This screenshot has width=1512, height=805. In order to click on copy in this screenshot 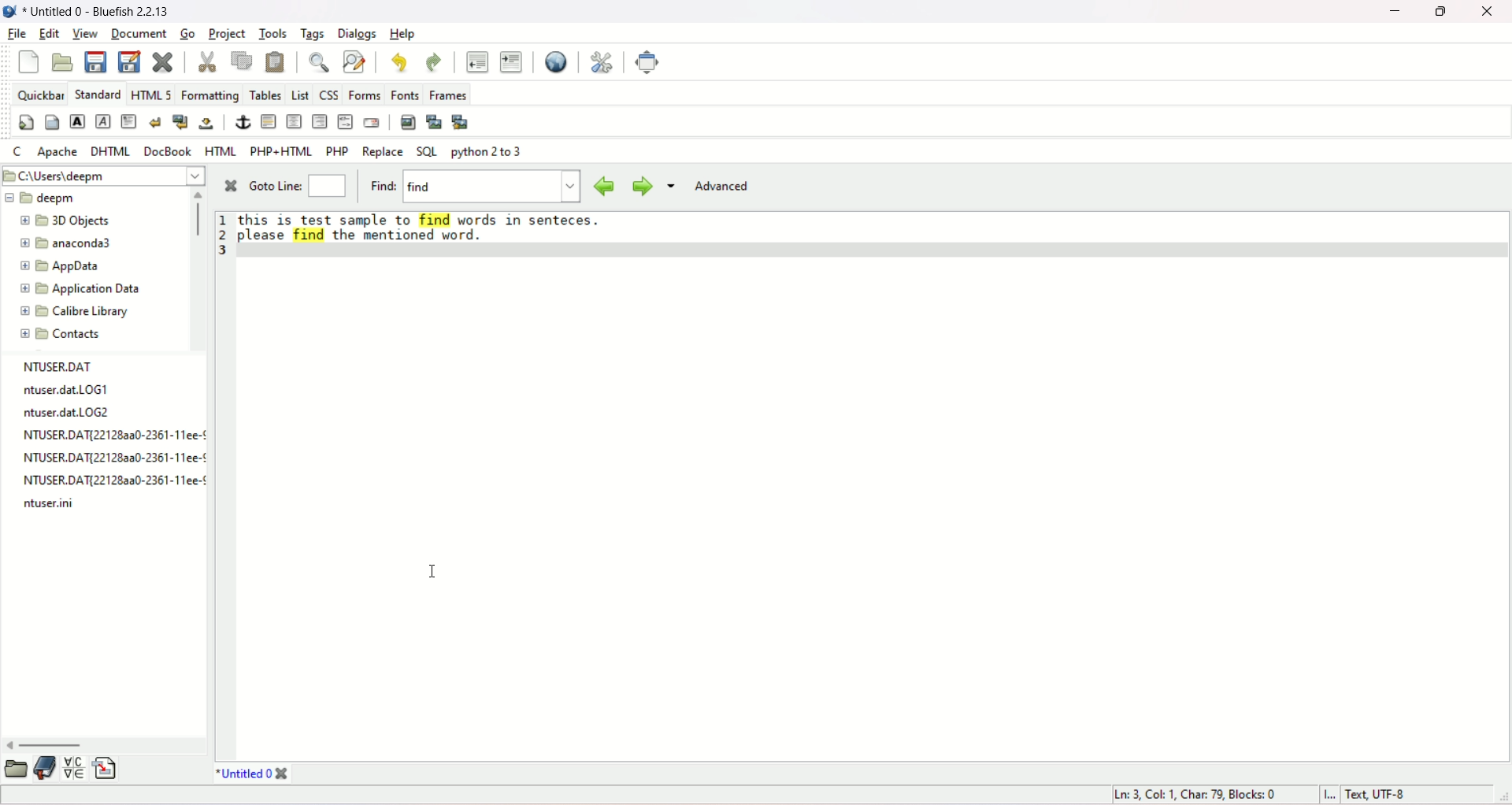, I will do `click(239, 60)`.